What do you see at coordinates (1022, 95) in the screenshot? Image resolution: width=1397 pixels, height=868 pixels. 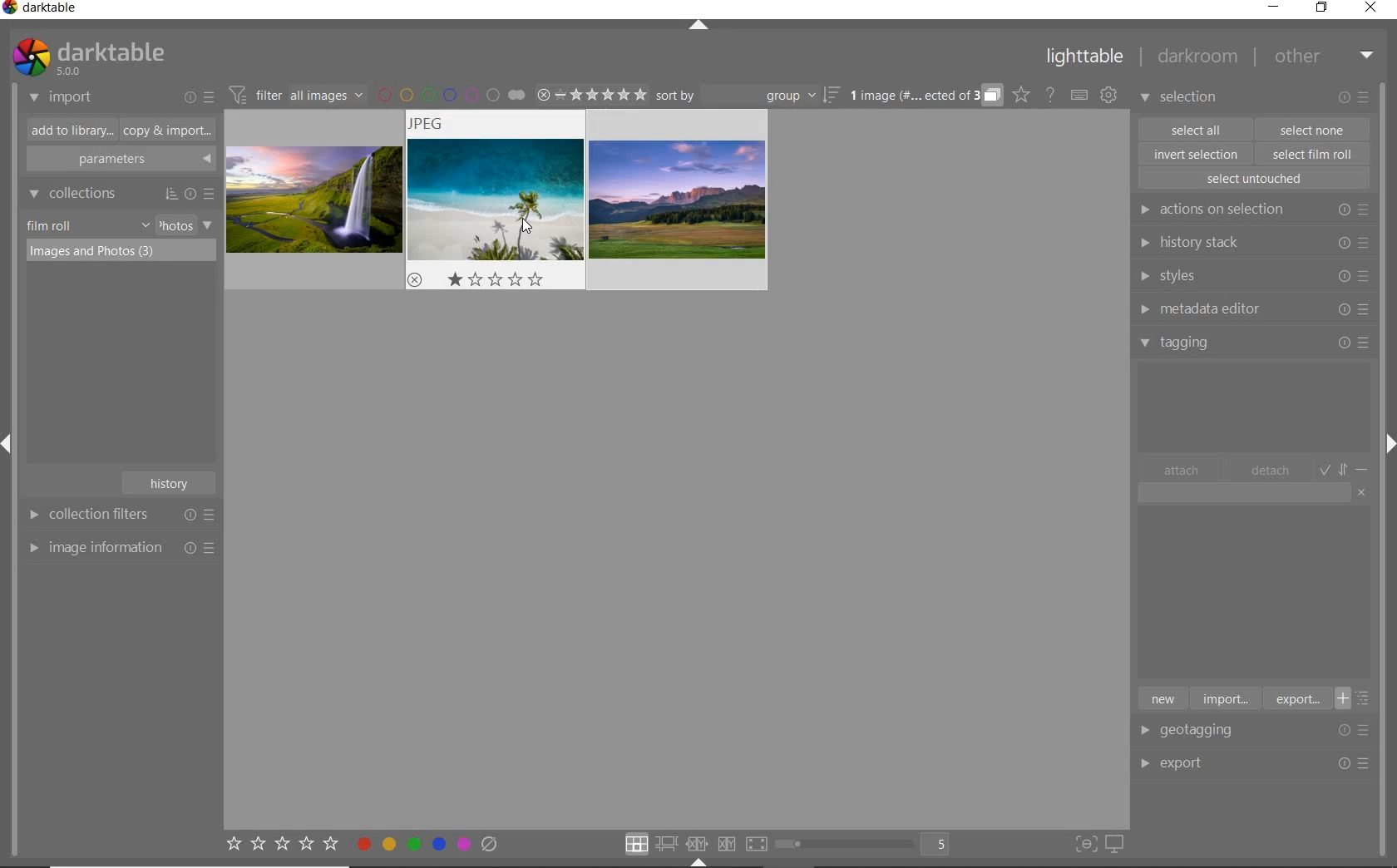 I see `click to change the type of overlay shown on thumbnails` at bounding box center [1022, 95].